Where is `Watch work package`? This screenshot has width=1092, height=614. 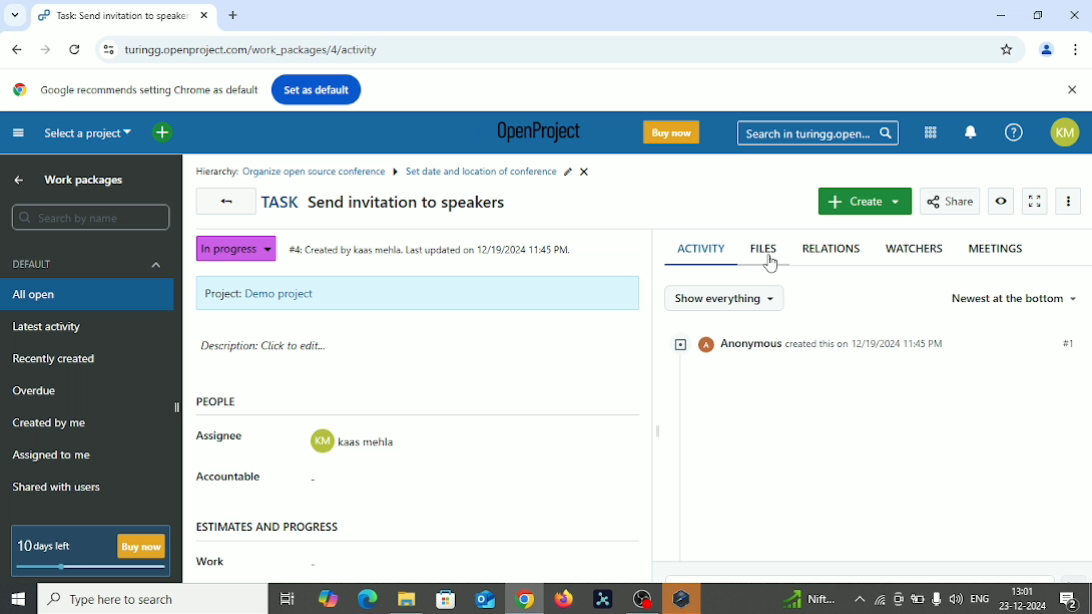
Watch work package is located at coordinates (1002, 201).